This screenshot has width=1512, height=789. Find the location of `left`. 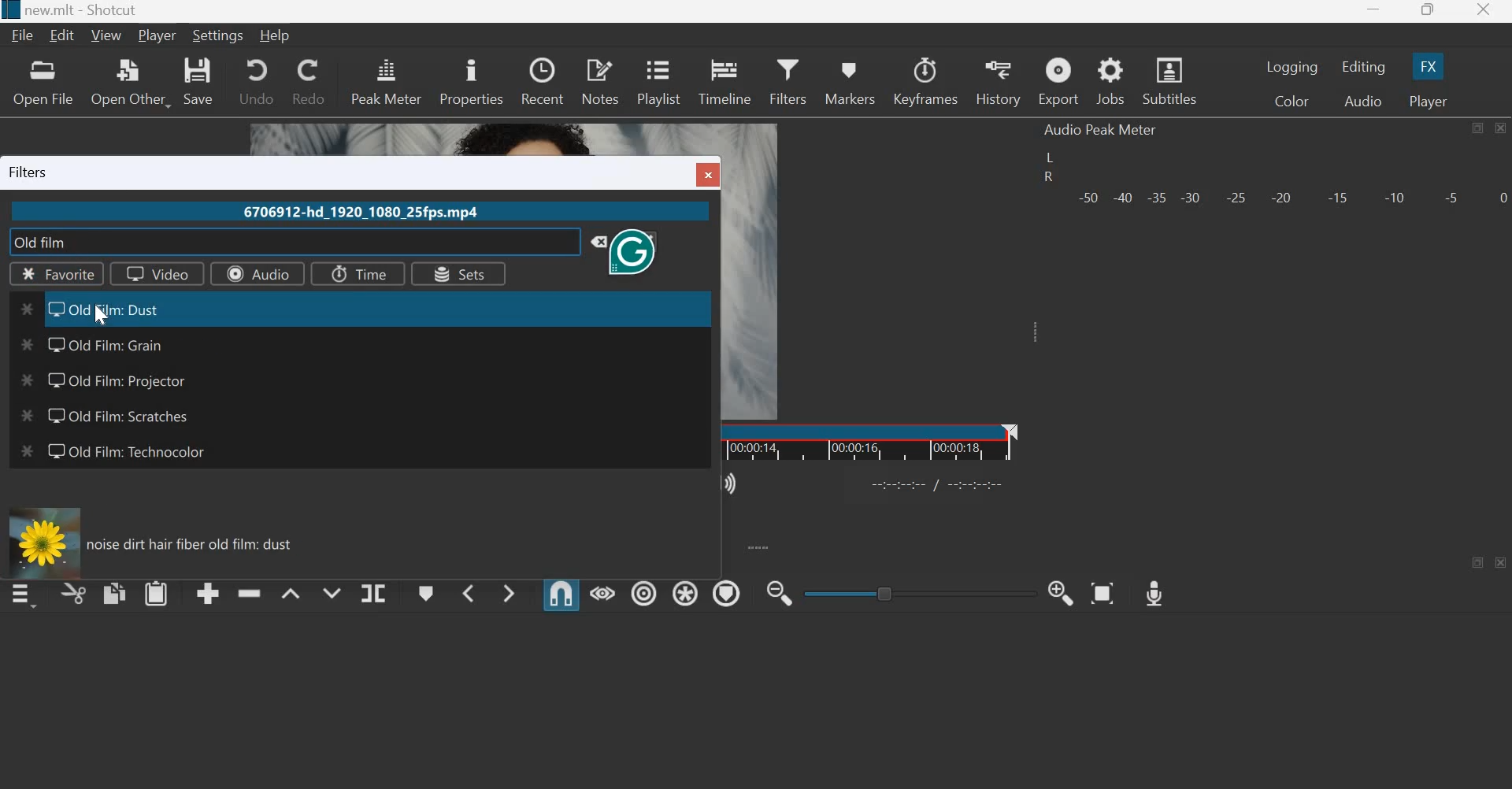

left is located at coordinates (1052, 157).